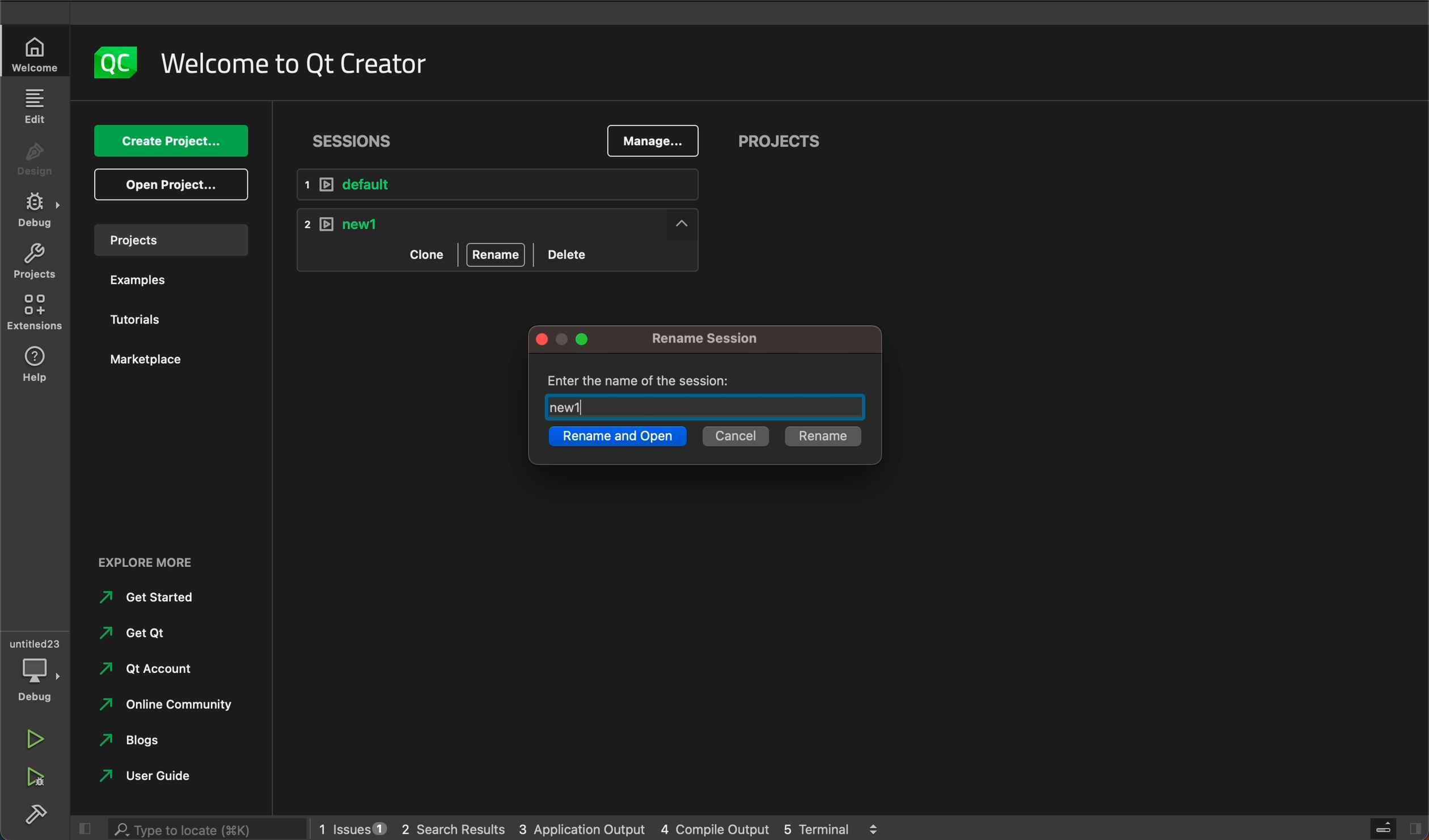  I want to click on create , so click(170, 142).